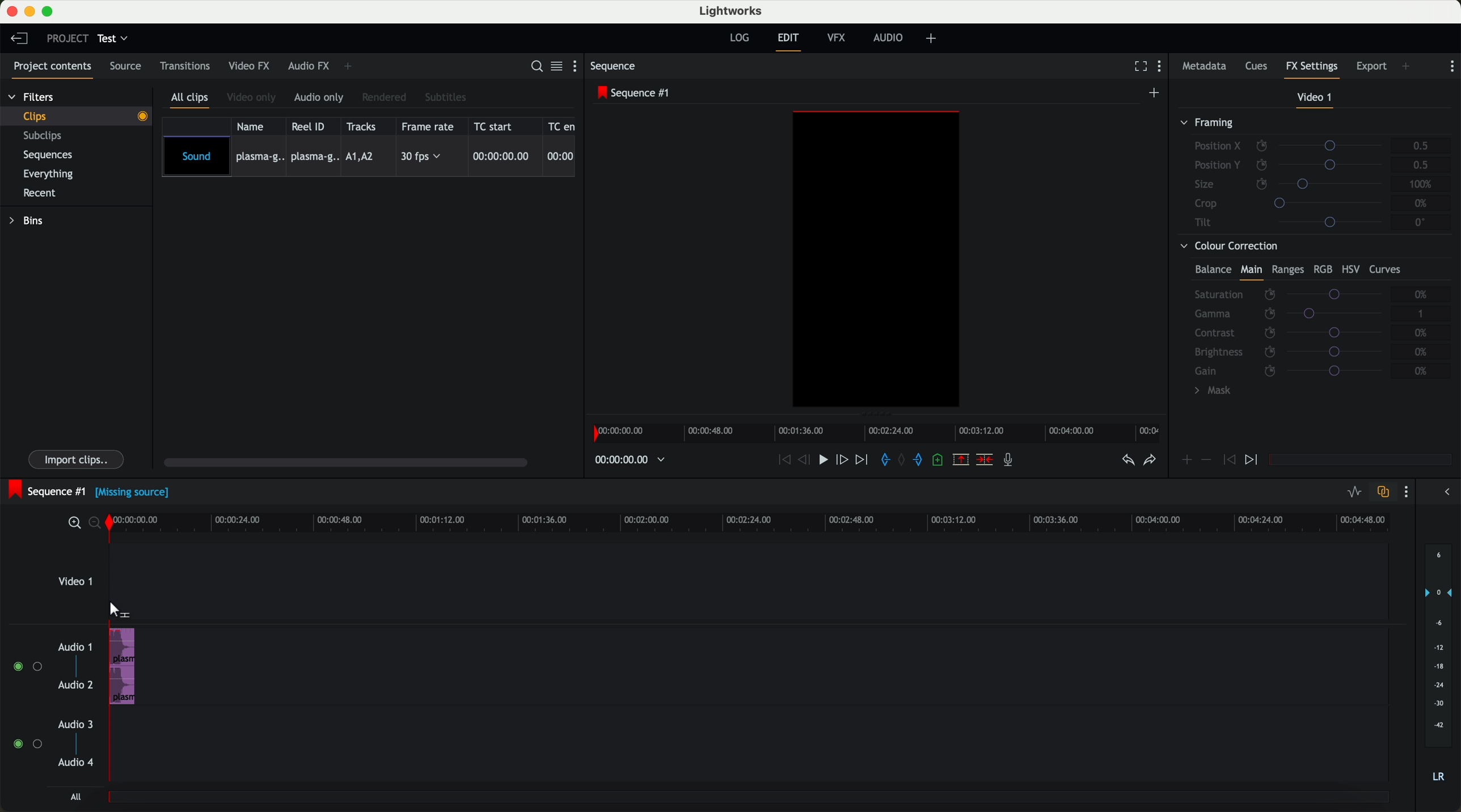 The height and width of the screenshot is (812, 1461). I want to click on framing tab, so click(1314, 175).